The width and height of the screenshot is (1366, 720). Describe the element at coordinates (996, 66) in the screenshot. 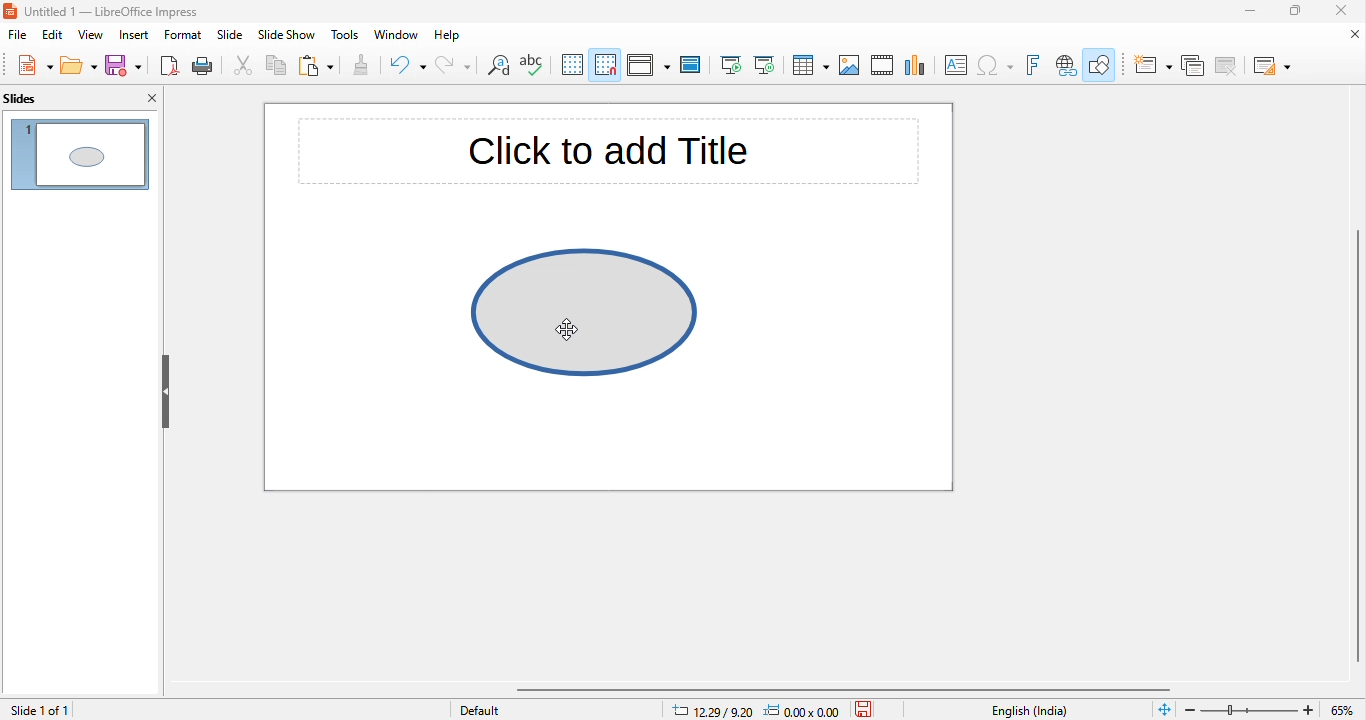

I see `special character` at that location.